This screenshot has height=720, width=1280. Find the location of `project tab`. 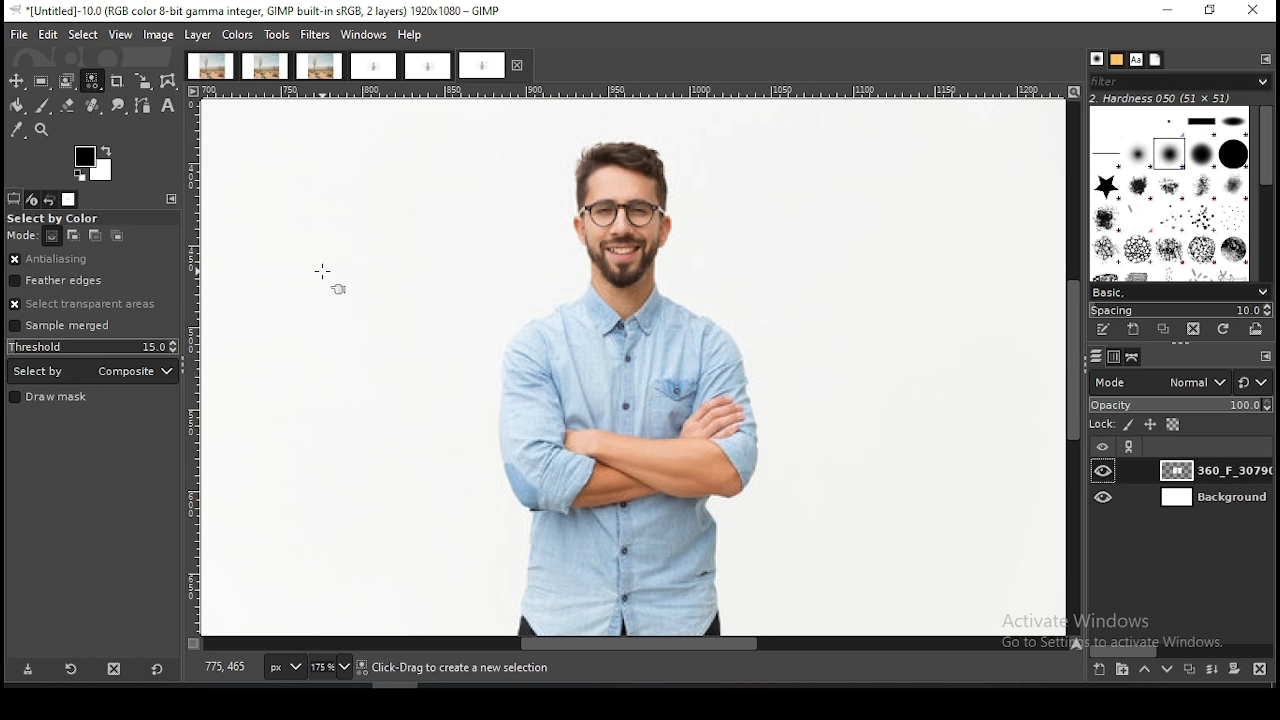

project tab is located at coordinates (210, 66).